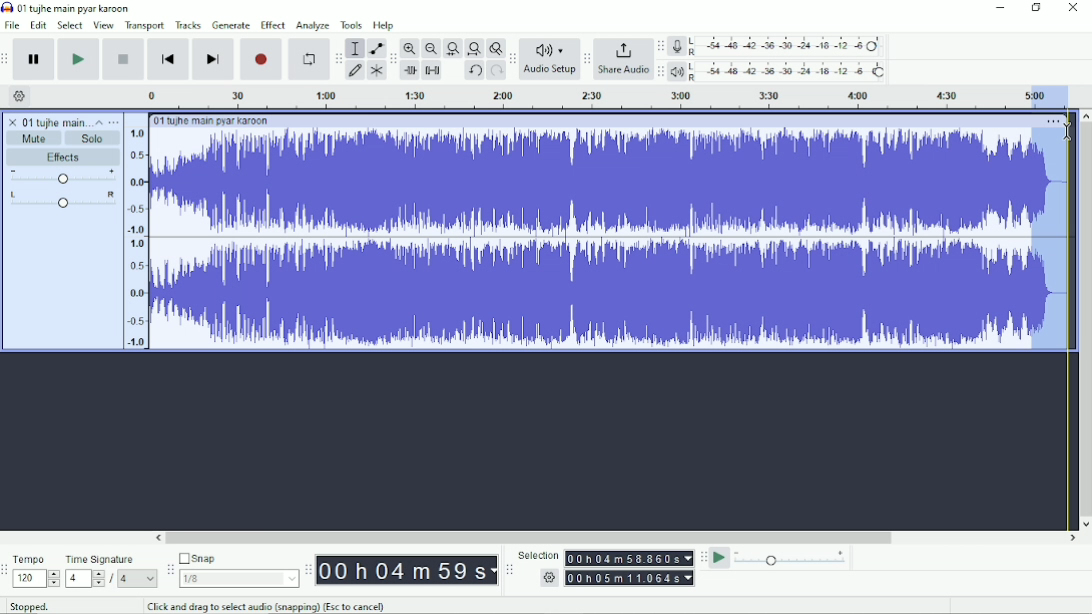 The height and width of the screenshot is (614, 1092). Describe the element at coordinates (93, 139) in the screenshot. I see `Solo` at that location.